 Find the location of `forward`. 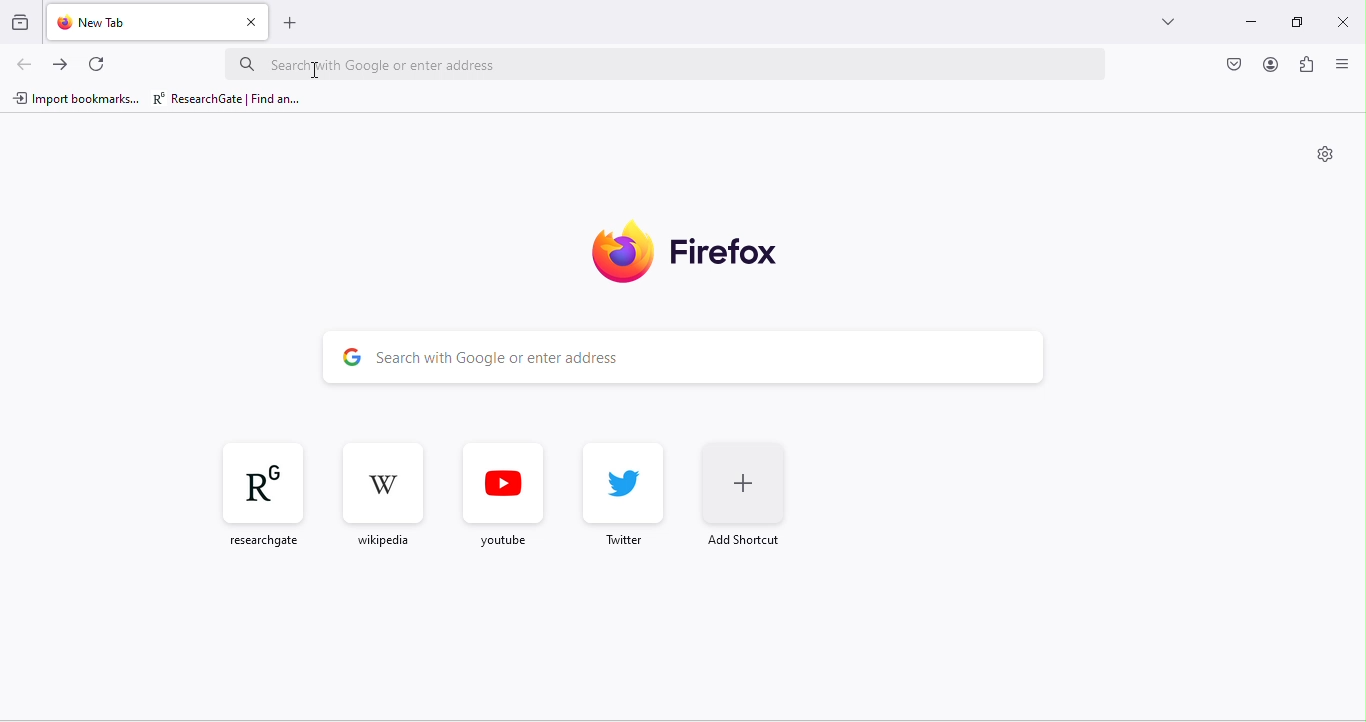

forward is located at coordinates (59, 63).